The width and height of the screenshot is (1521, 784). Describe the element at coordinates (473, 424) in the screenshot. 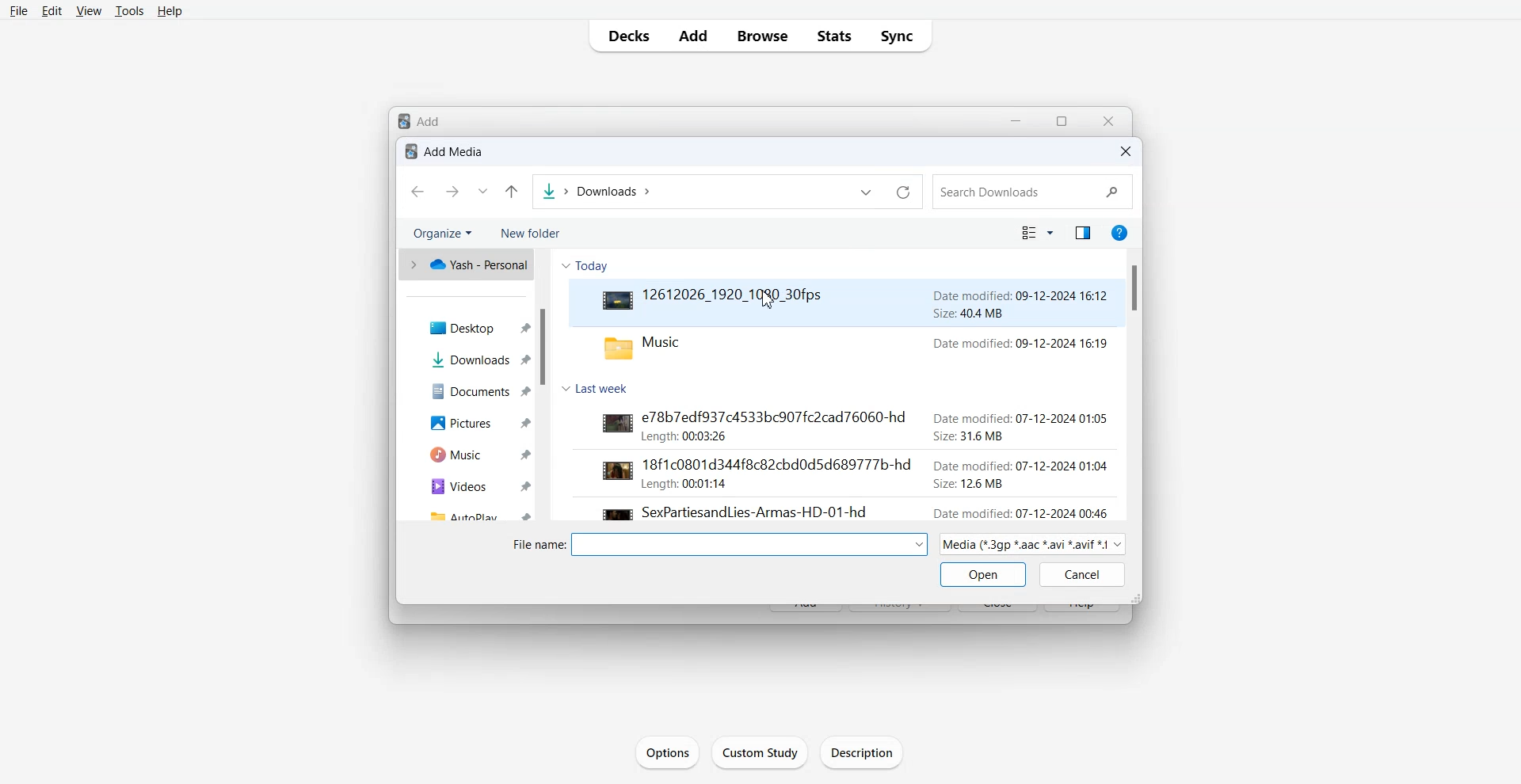

I see `Pictures` at that location.